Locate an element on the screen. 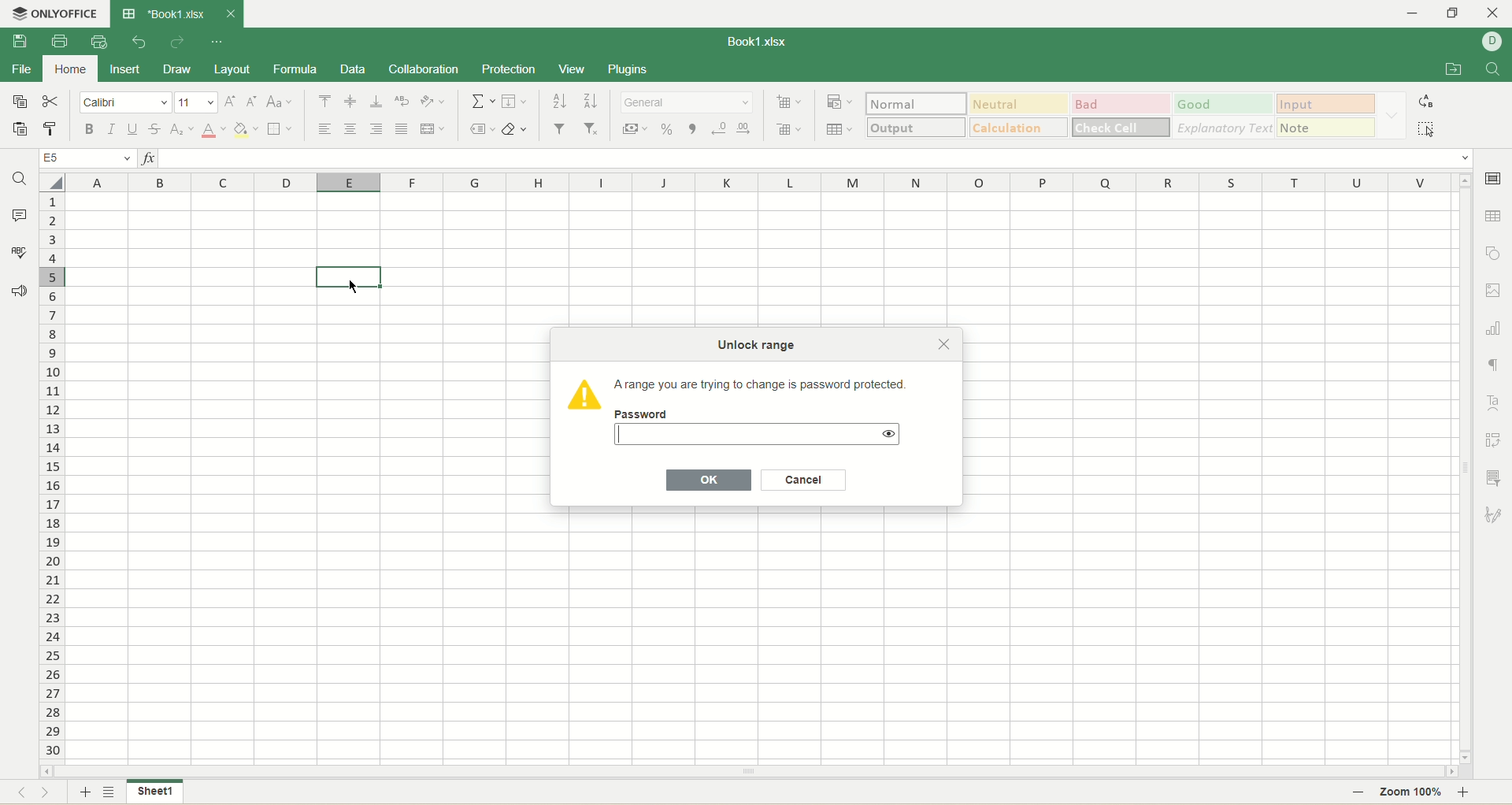 This screenshot has width=1512, height=805. insert cell is located at coordinates (789, 102).